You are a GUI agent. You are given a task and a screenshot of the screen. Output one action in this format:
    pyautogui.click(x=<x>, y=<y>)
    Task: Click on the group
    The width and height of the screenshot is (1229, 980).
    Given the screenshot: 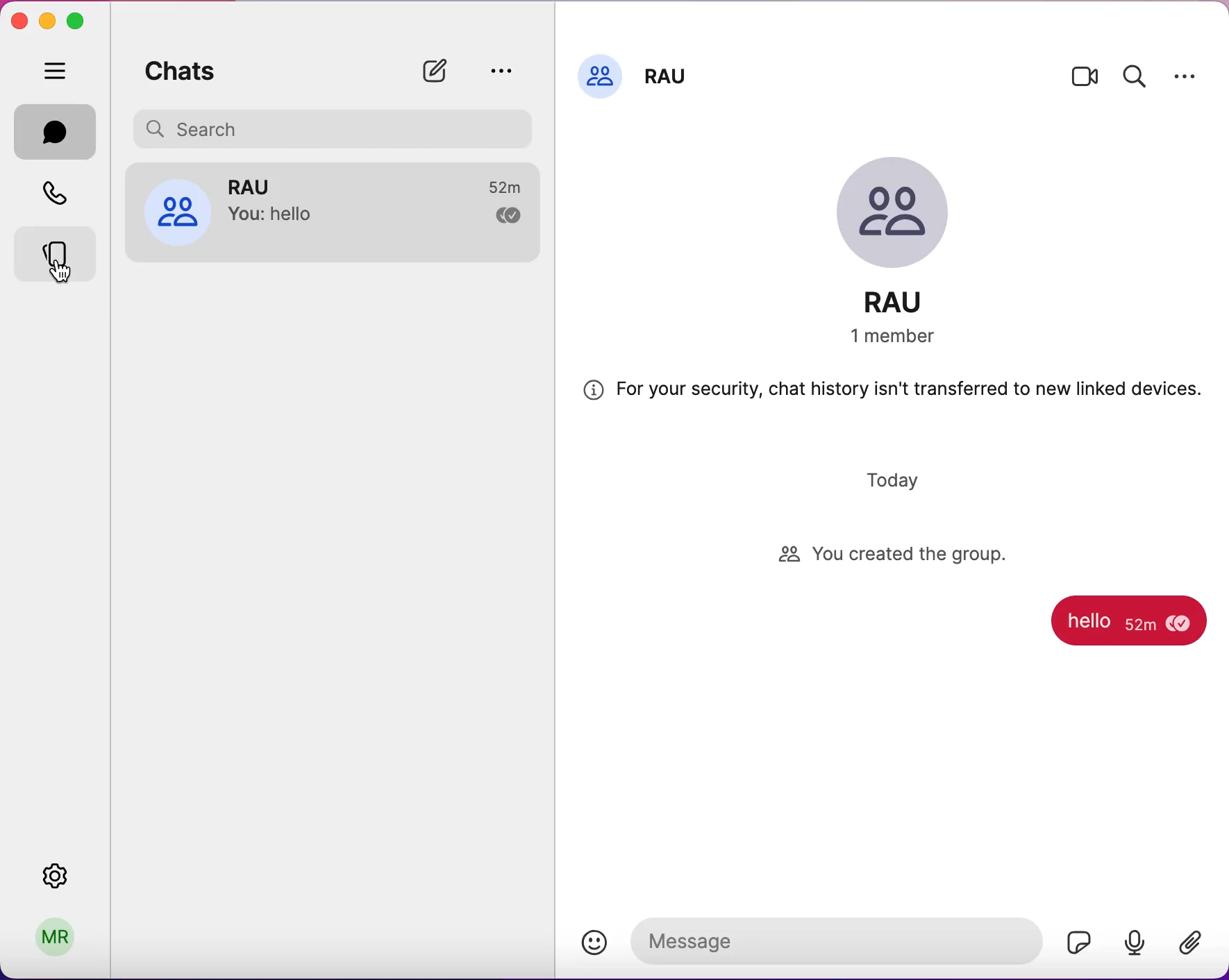 What is the action you would take?
    pyautogui.click(x=667, y=83)
    